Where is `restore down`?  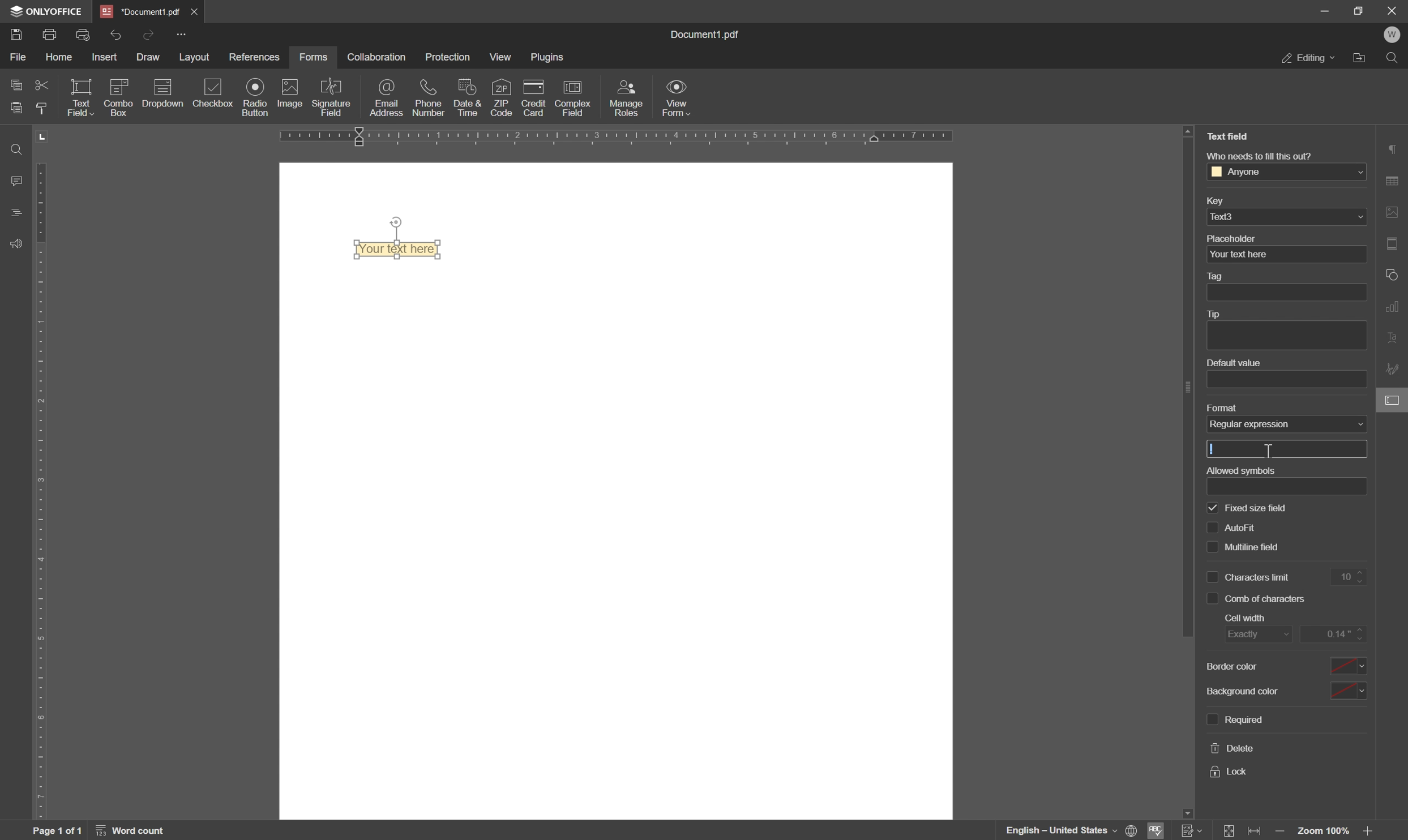
restore down is located at coordinates (1358, 10).